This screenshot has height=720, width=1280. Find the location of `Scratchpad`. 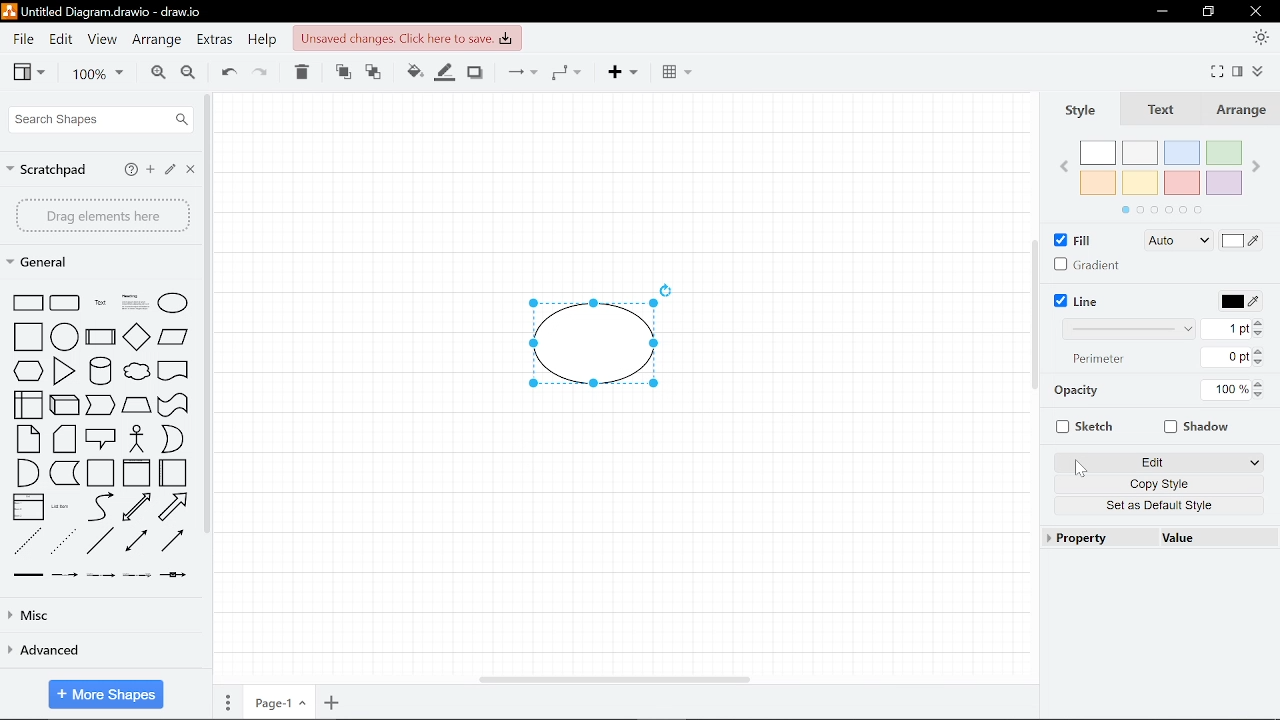

Scratchpad is located at coordinates (47, 169).